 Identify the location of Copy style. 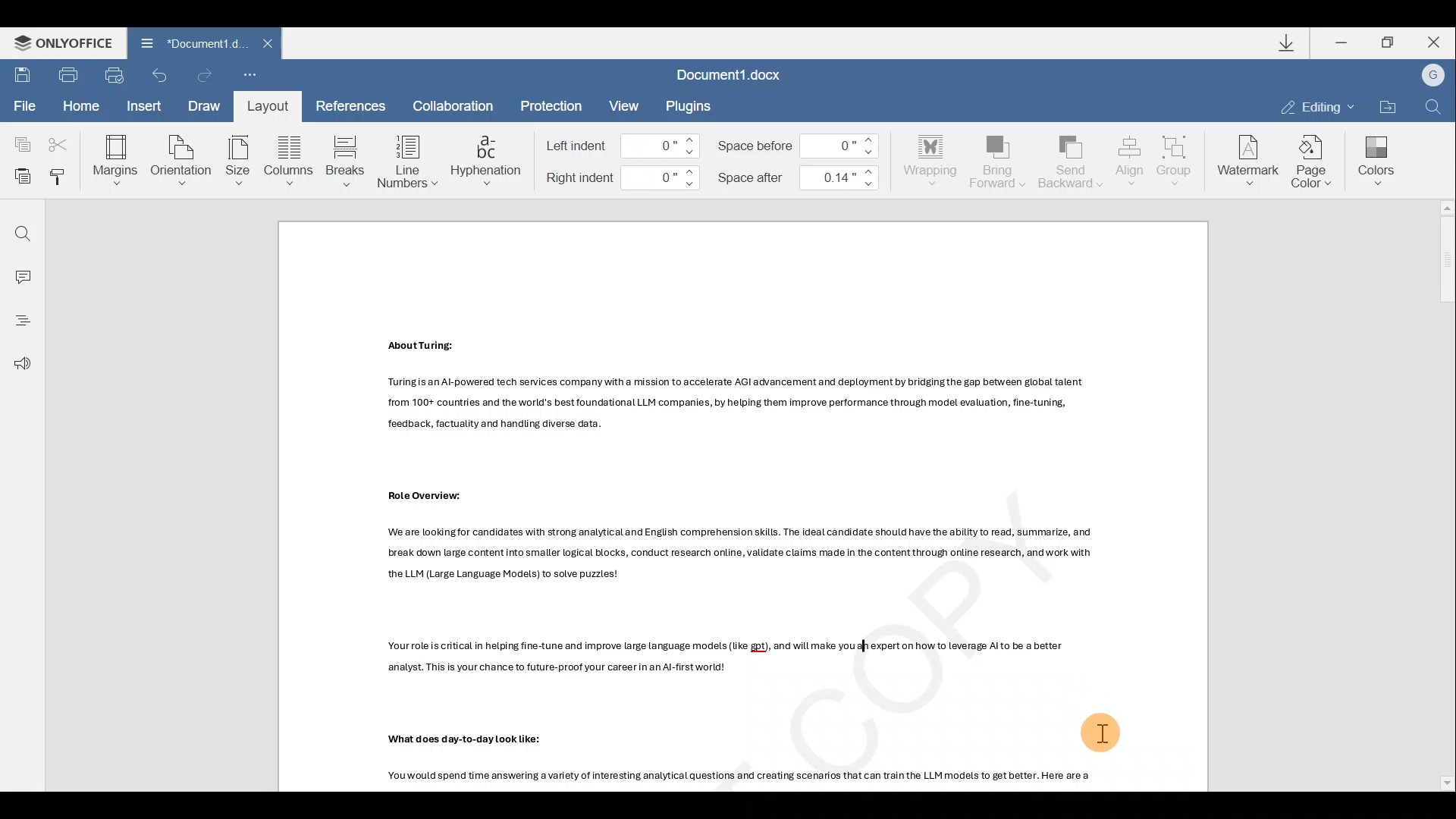
(62, 179).